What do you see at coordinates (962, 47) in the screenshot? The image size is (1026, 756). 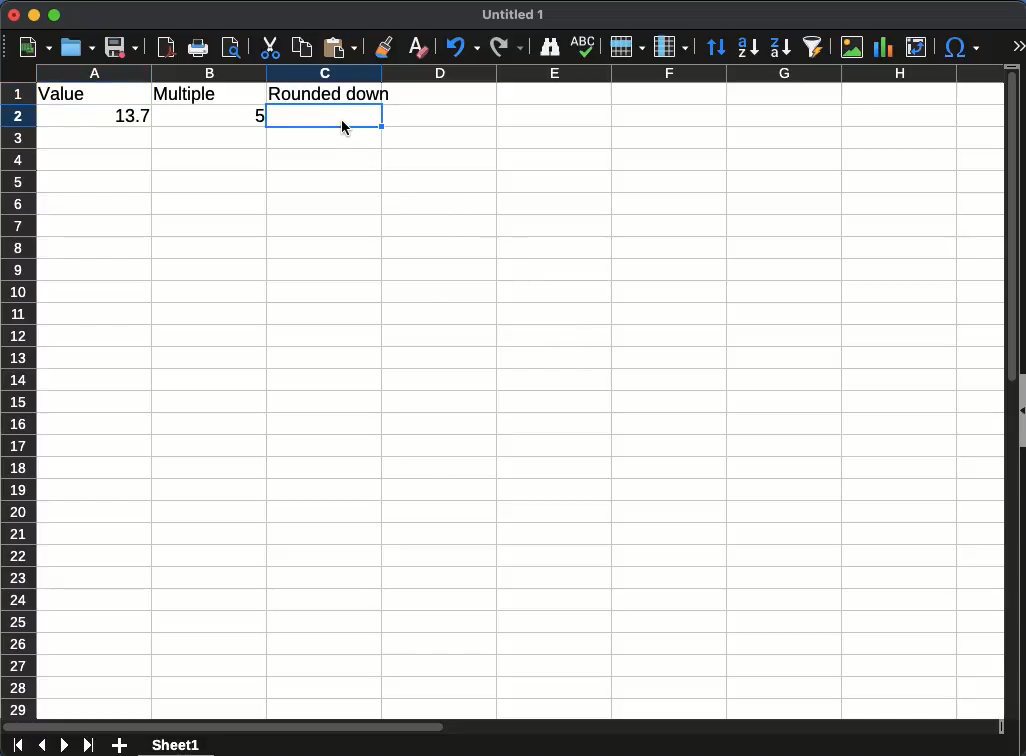 I see `special character` at bounding box center [962, 47].